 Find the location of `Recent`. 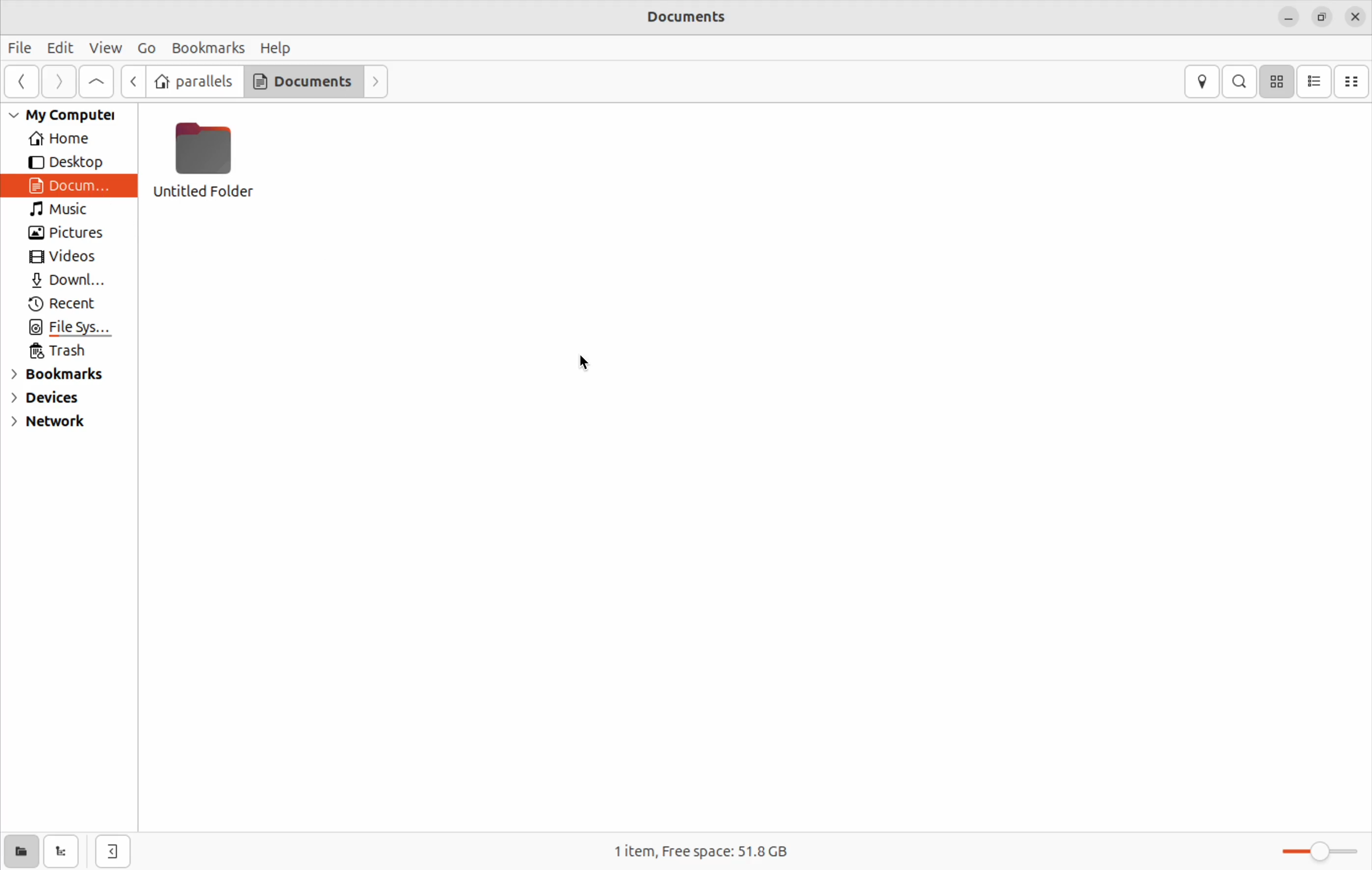

Recent is located at coordinates (61, 304).